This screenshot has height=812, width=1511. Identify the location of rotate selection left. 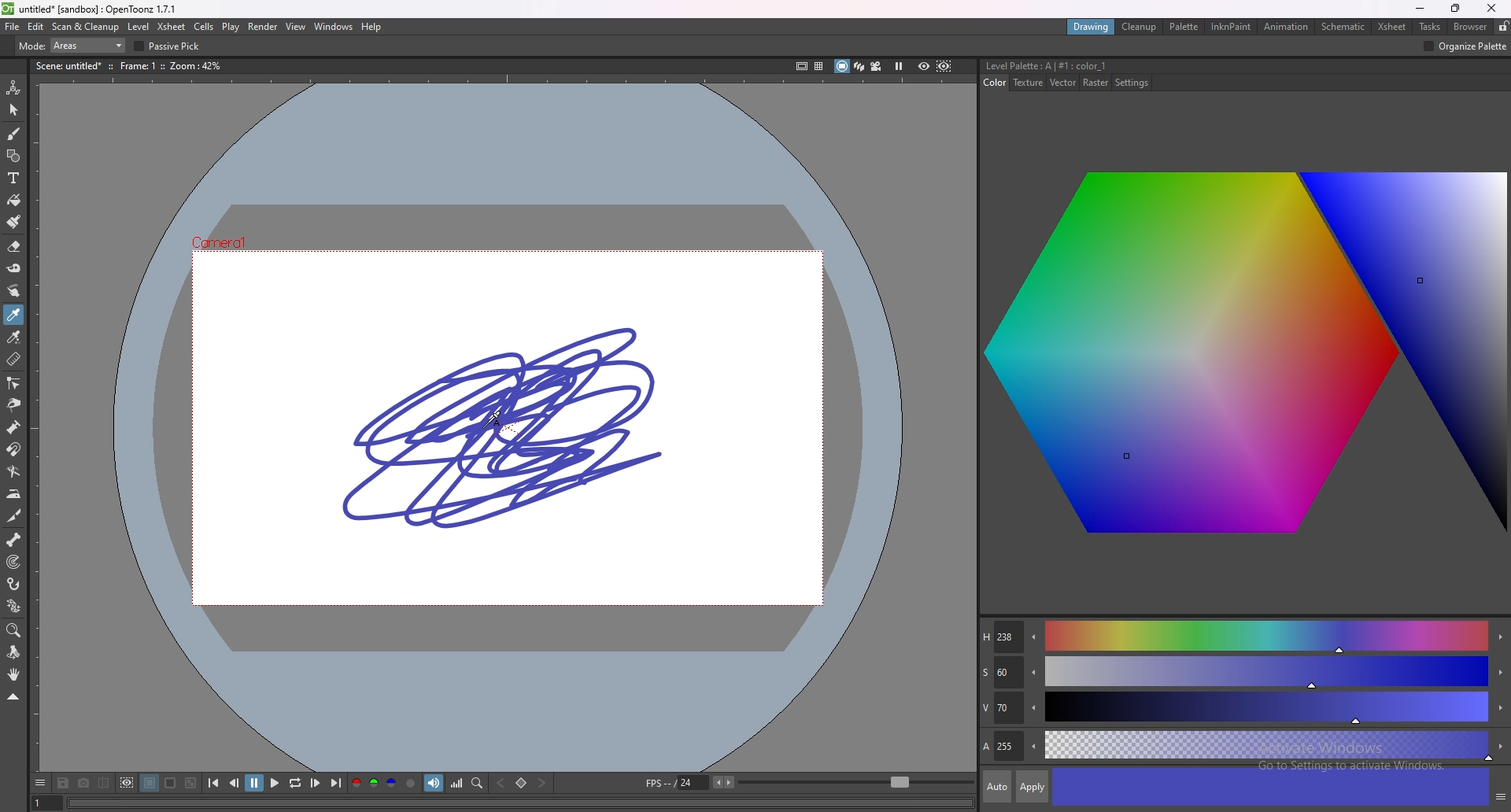
(855, 46).